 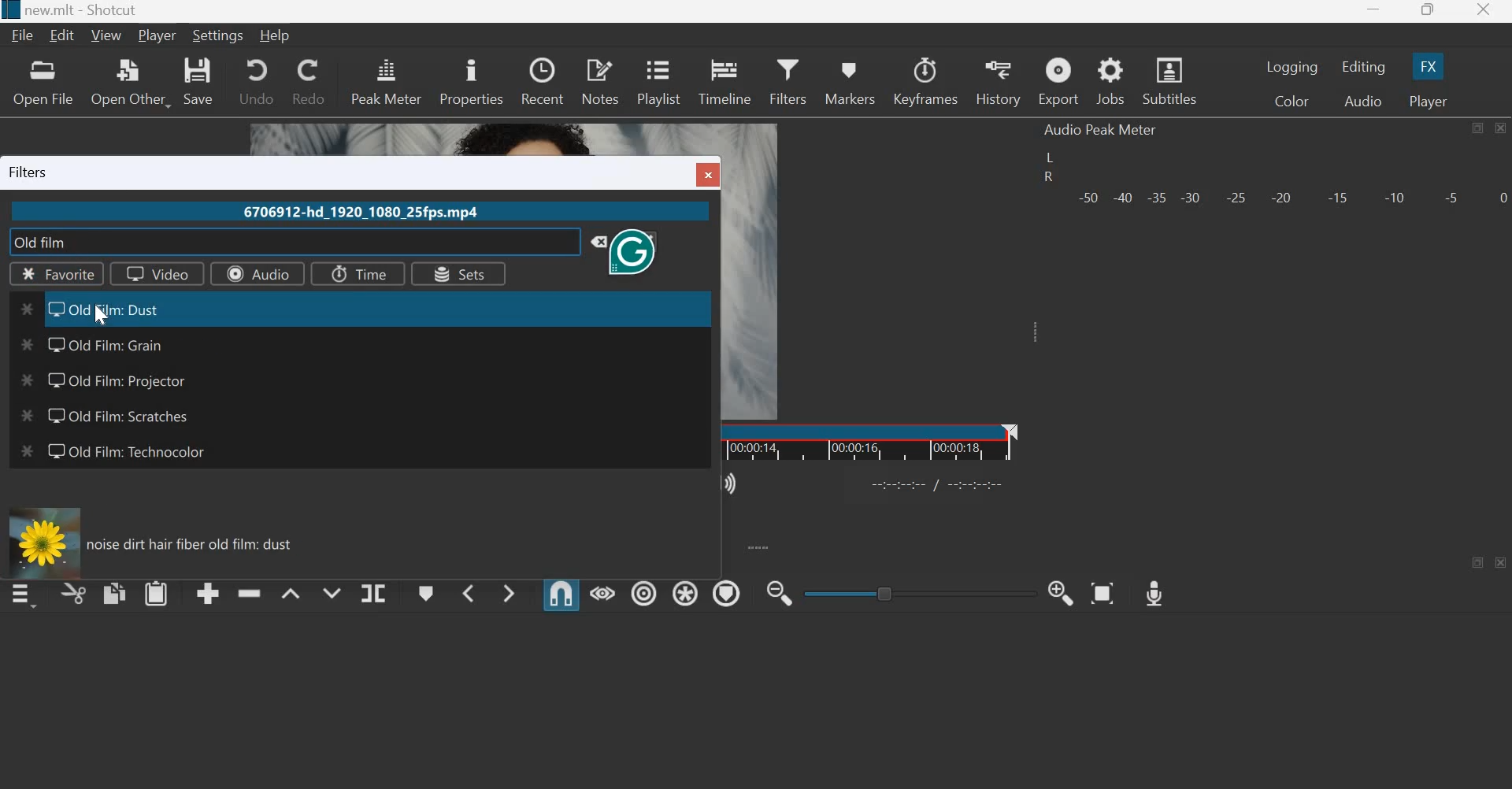 I want to click on cursor, so click(x=102, y=317).